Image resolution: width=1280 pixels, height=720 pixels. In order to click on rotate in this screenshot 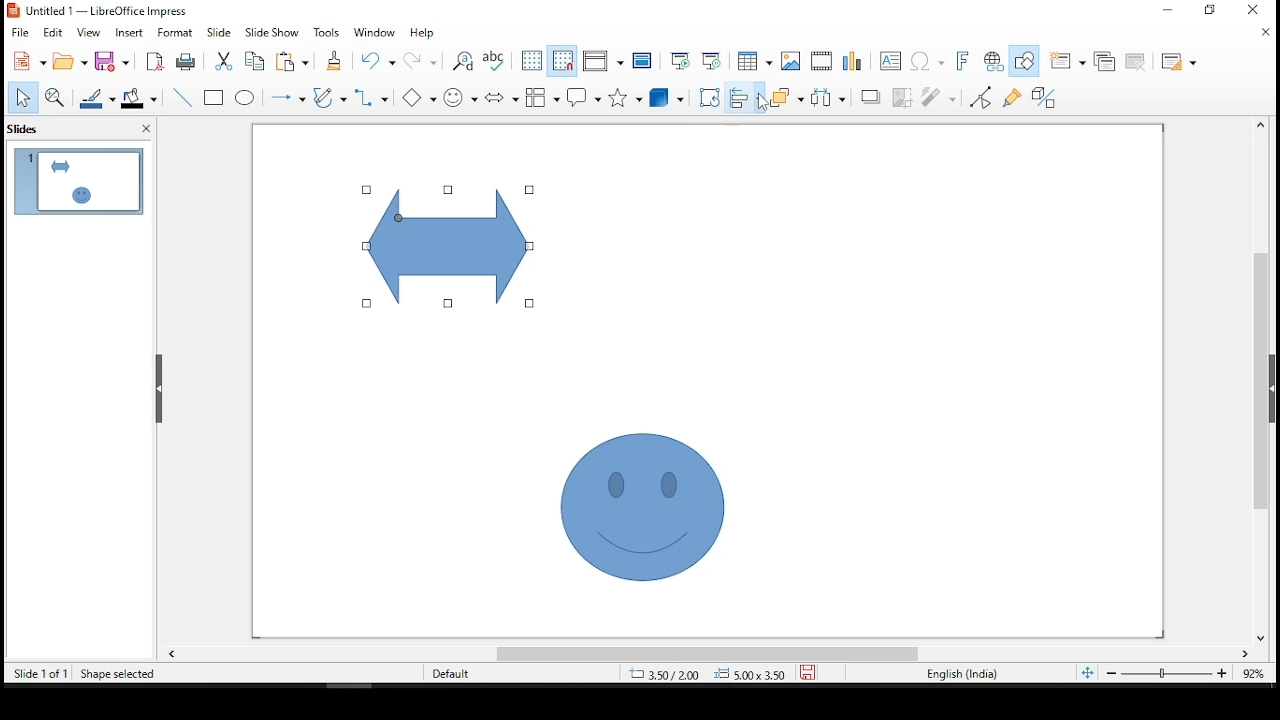, I will do `click(711, 97)`.